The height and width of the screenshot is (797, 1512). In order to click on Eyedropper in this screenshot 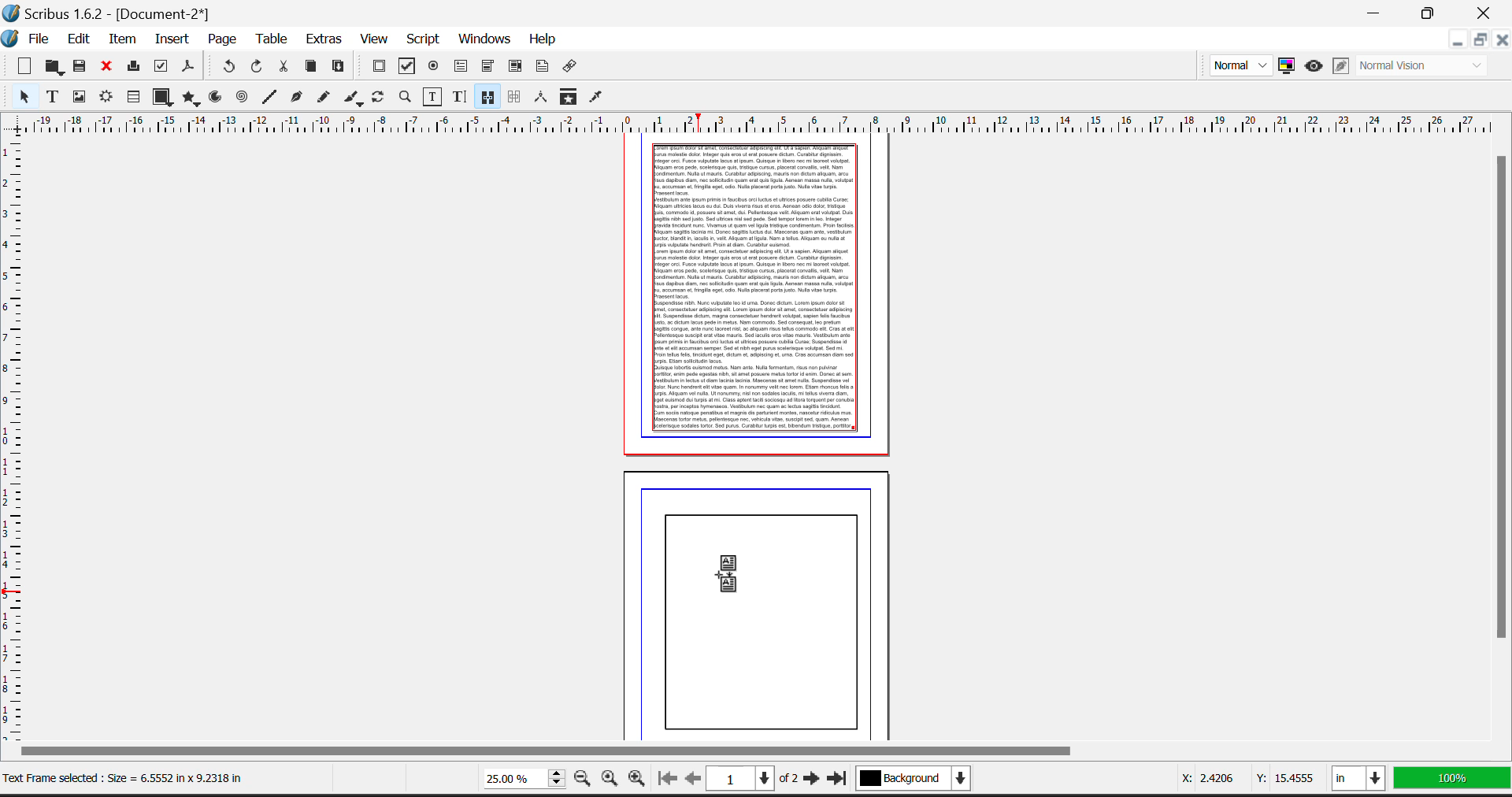, I will do `click(598, 98)`.